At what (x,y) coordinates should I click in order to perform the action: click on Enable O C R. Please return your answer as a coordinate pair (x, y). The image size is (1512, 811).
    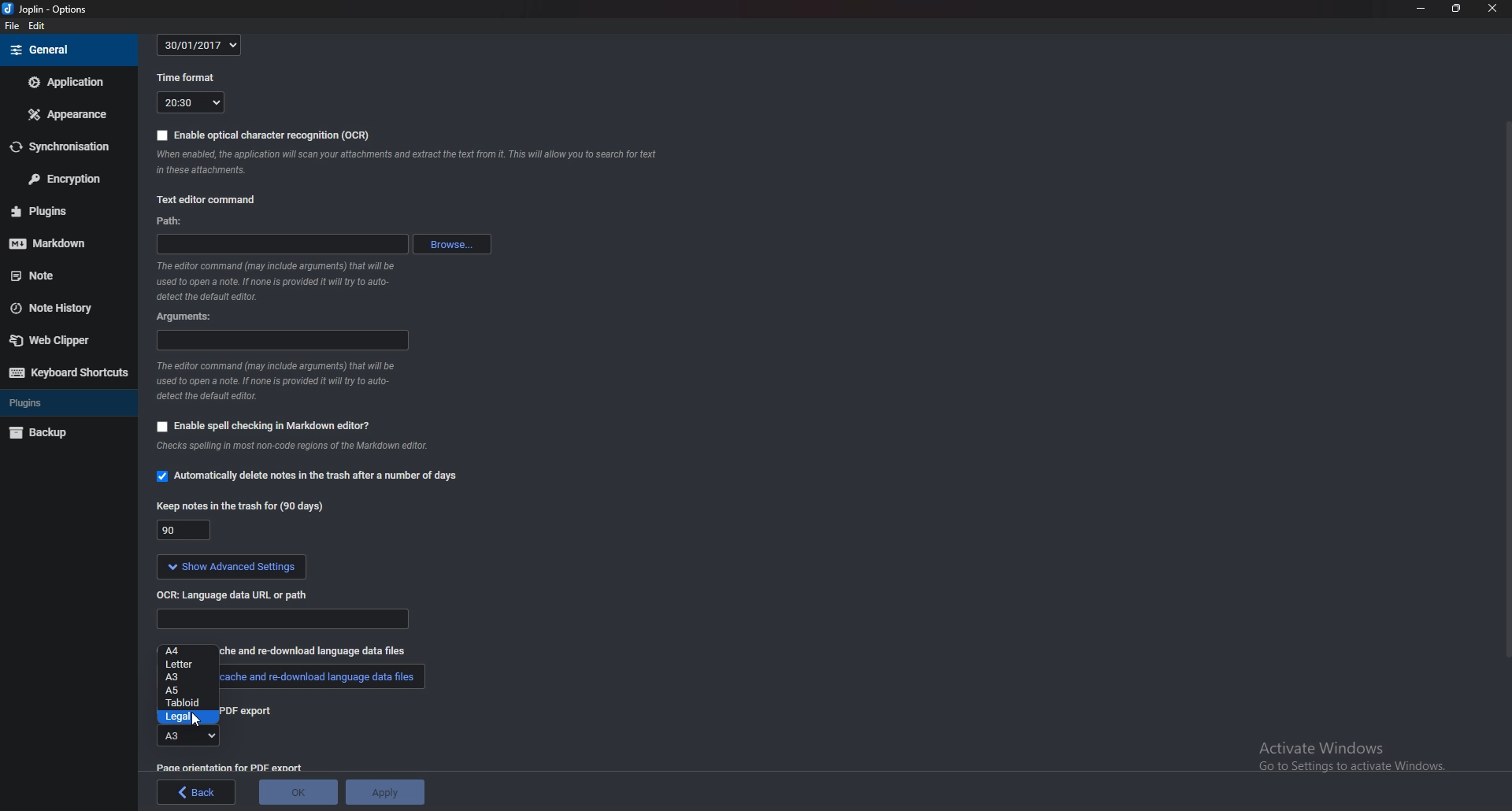
    Looking at the image, I should click on (264, 135).